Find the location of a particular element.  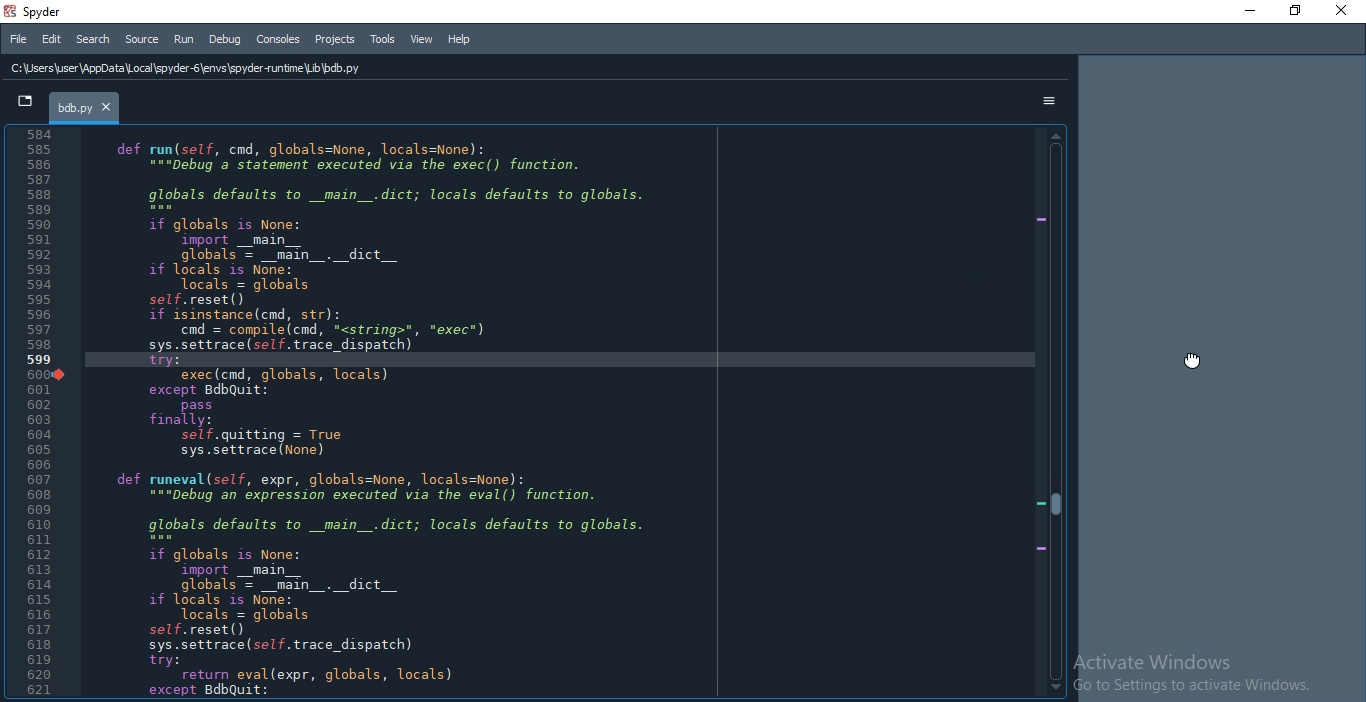

Debug is located at coordinates (224, 38).